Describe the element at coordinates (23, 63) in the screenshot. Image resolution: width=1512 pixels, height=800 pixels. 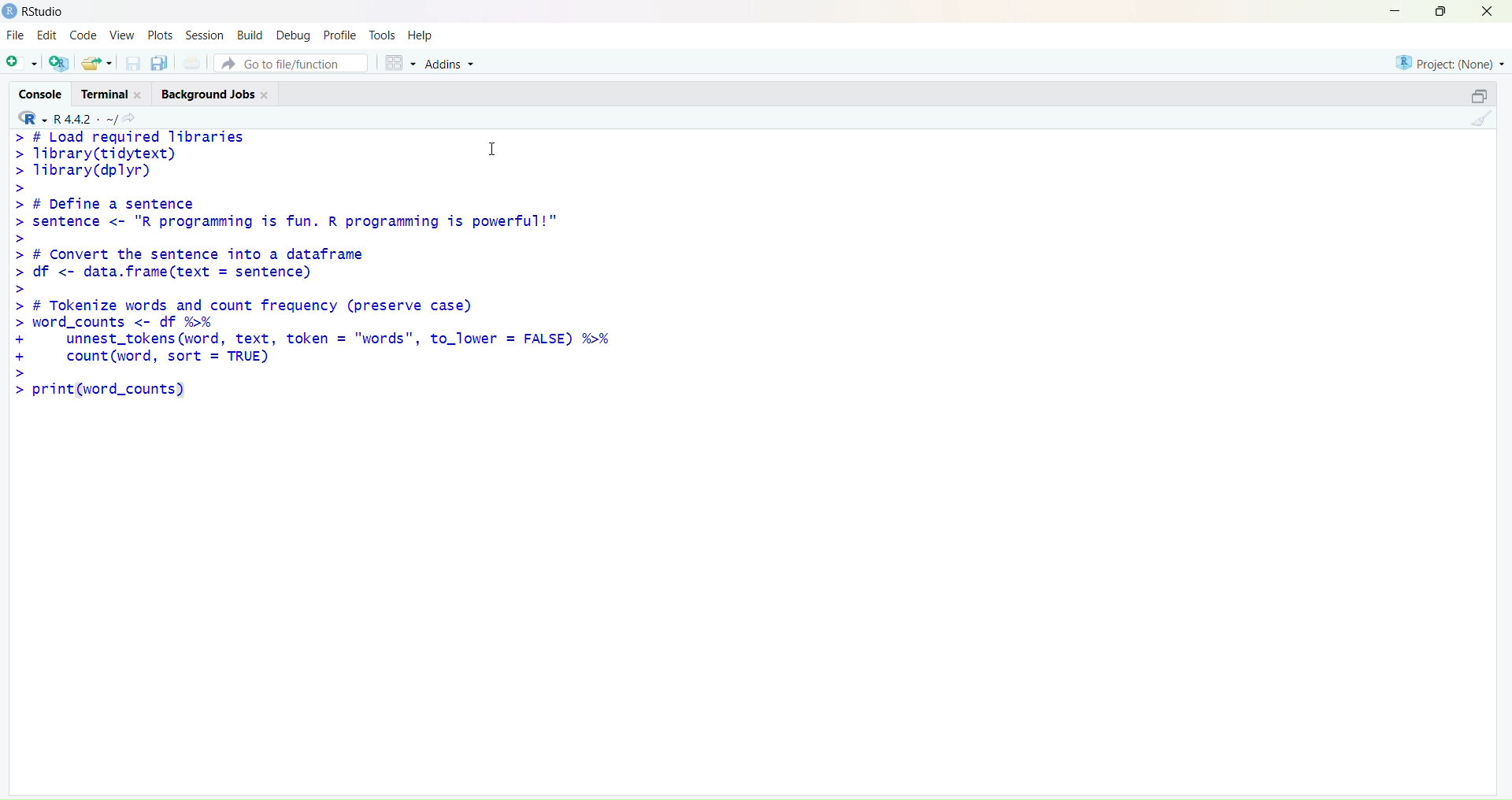
I see `new script` at that location.